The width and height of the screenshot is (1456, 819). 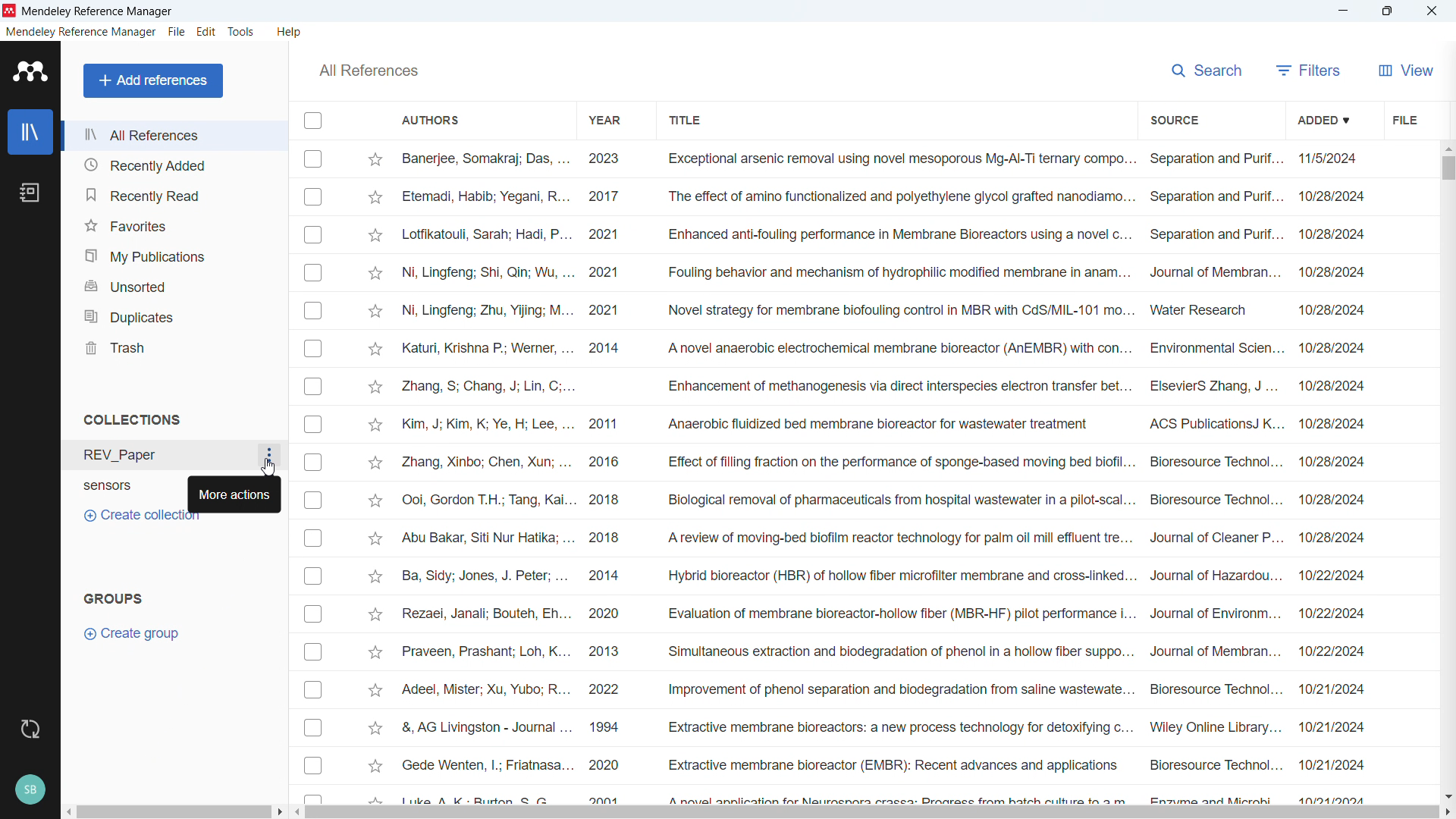 What do you see at coordinates (121, 488) in the screenshot?
I see `sensors` at bounding box center [121, 488].